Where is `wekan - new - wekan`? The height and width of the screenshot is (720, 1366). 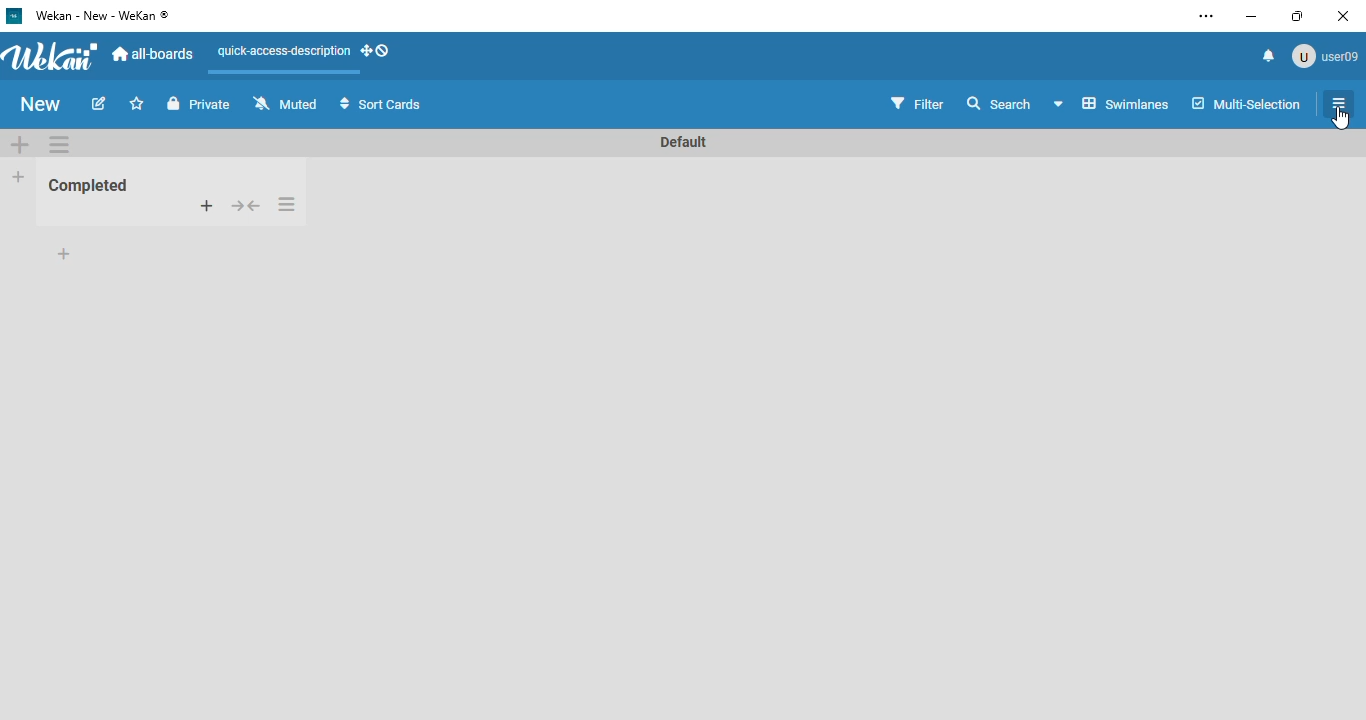
wekan - new - wekan is located at coordinates (102, 15).